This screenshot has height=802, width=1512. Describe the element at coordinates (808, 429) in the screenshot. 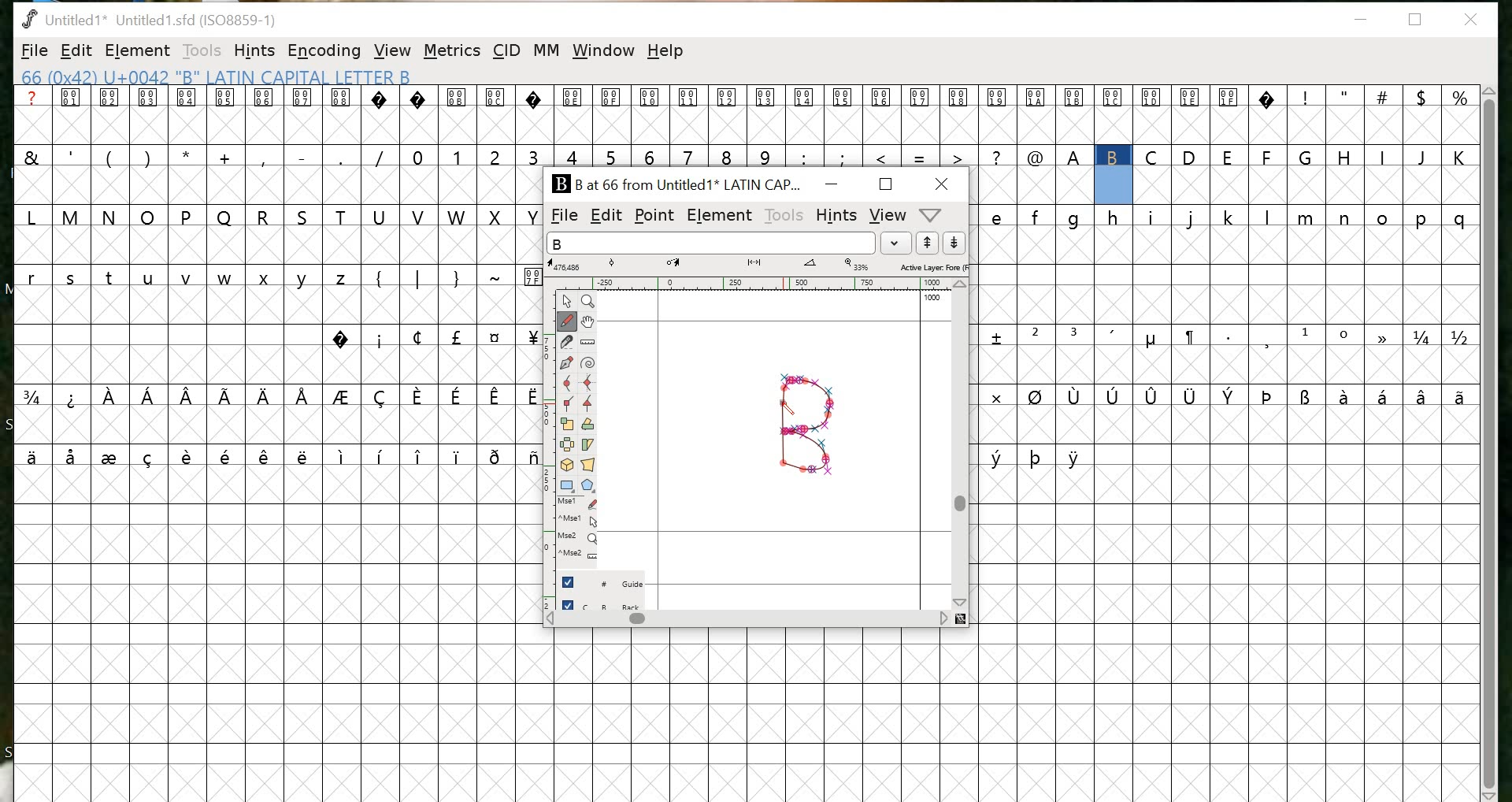

I see `design for the glyph "B"` at that location.